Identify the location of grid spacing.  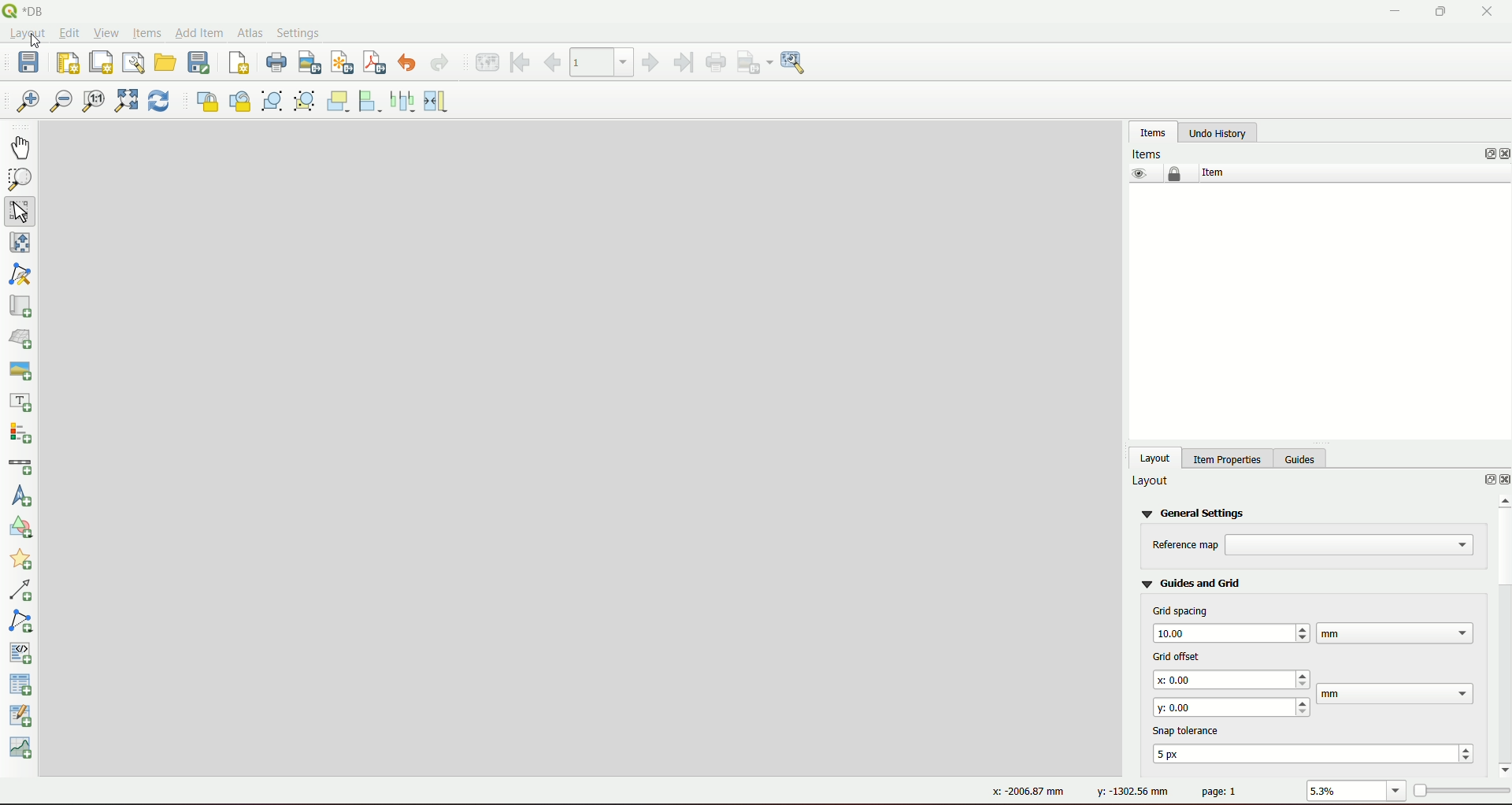
(1181, 610).